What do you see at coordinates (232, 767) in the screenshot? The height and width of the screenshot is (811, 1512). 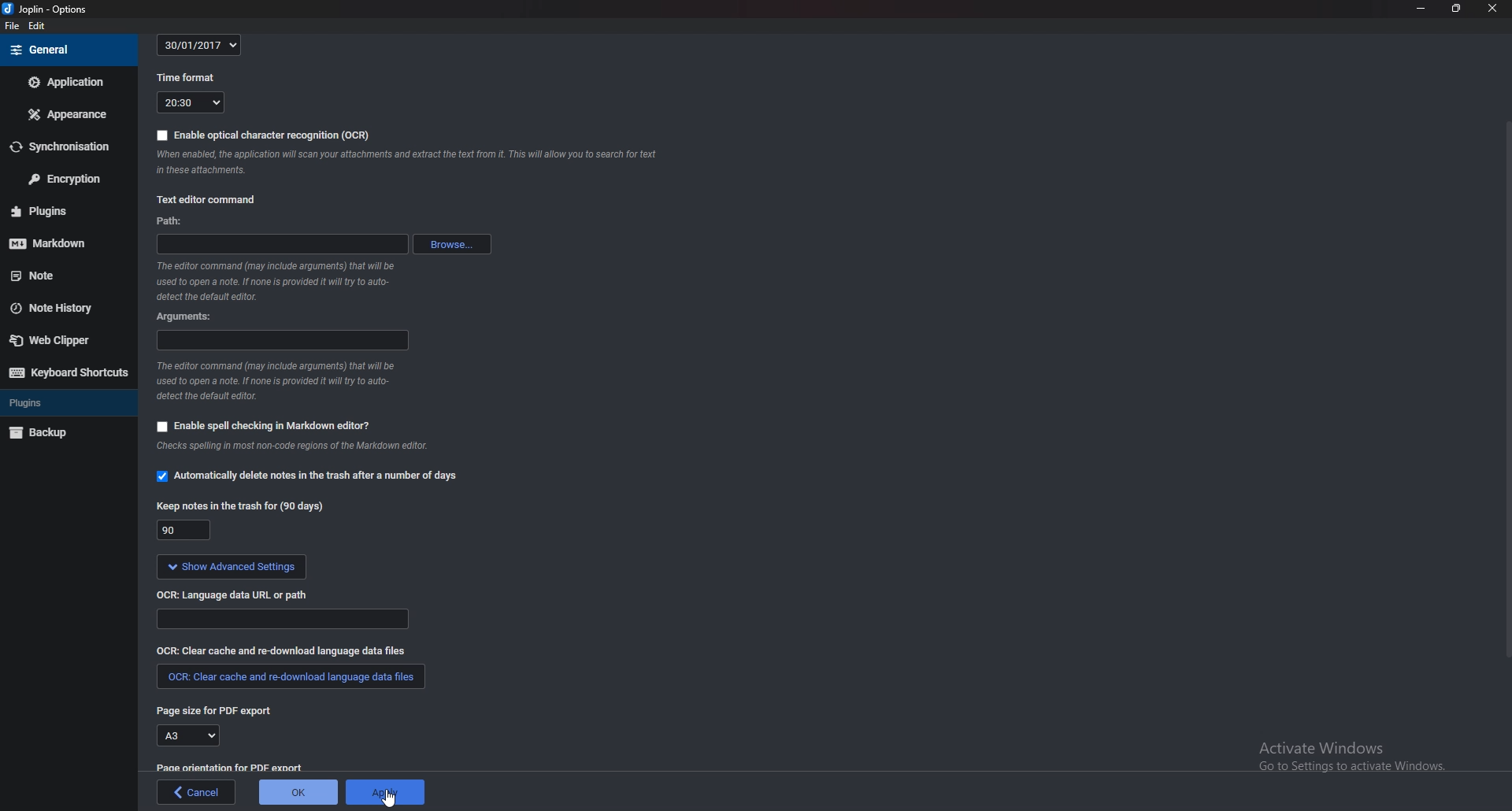 I see `Page orientation for pdf export` at bounding box center [232, 767].